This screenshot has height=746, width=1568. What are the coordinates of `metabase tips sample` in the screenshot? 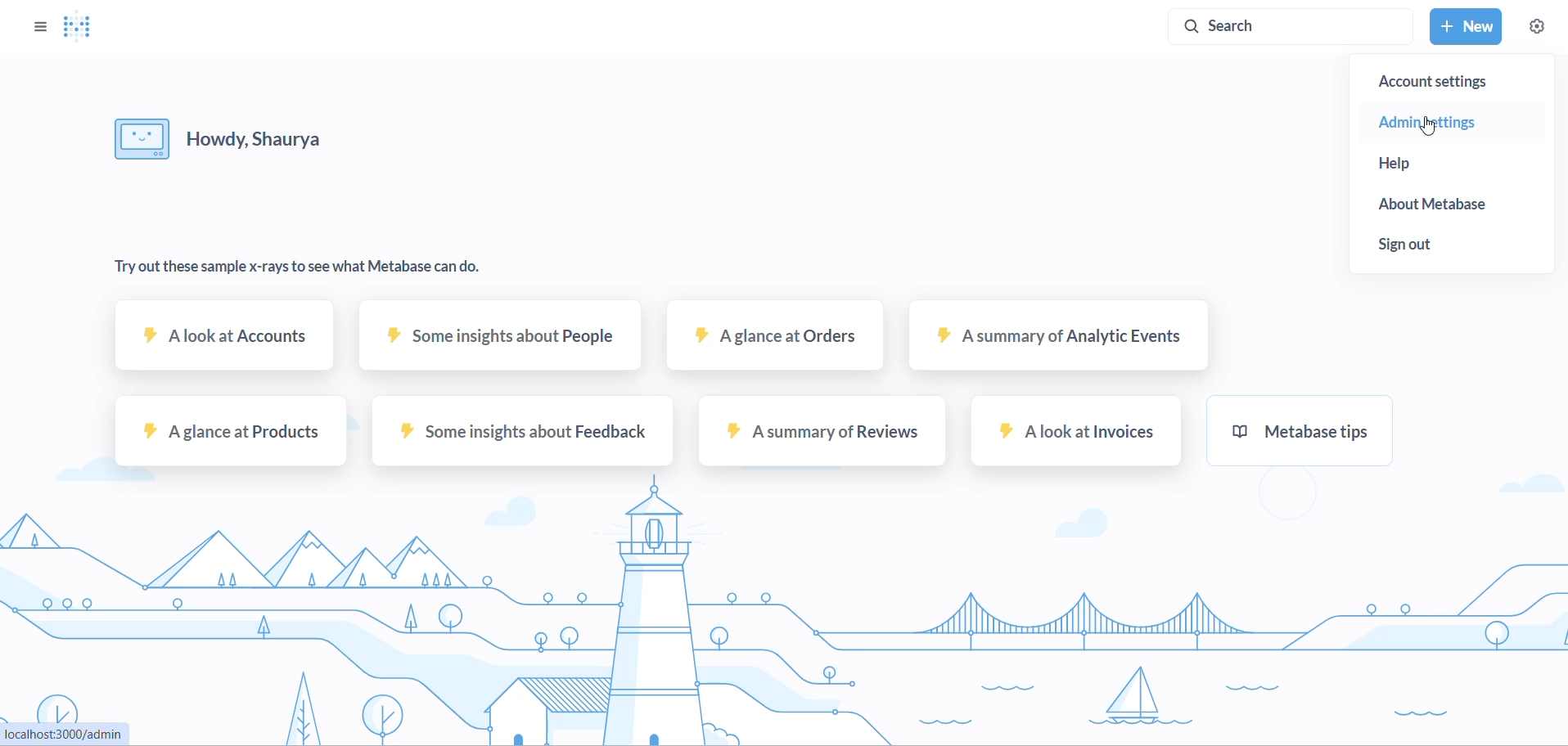 It's located at (1287, 430).